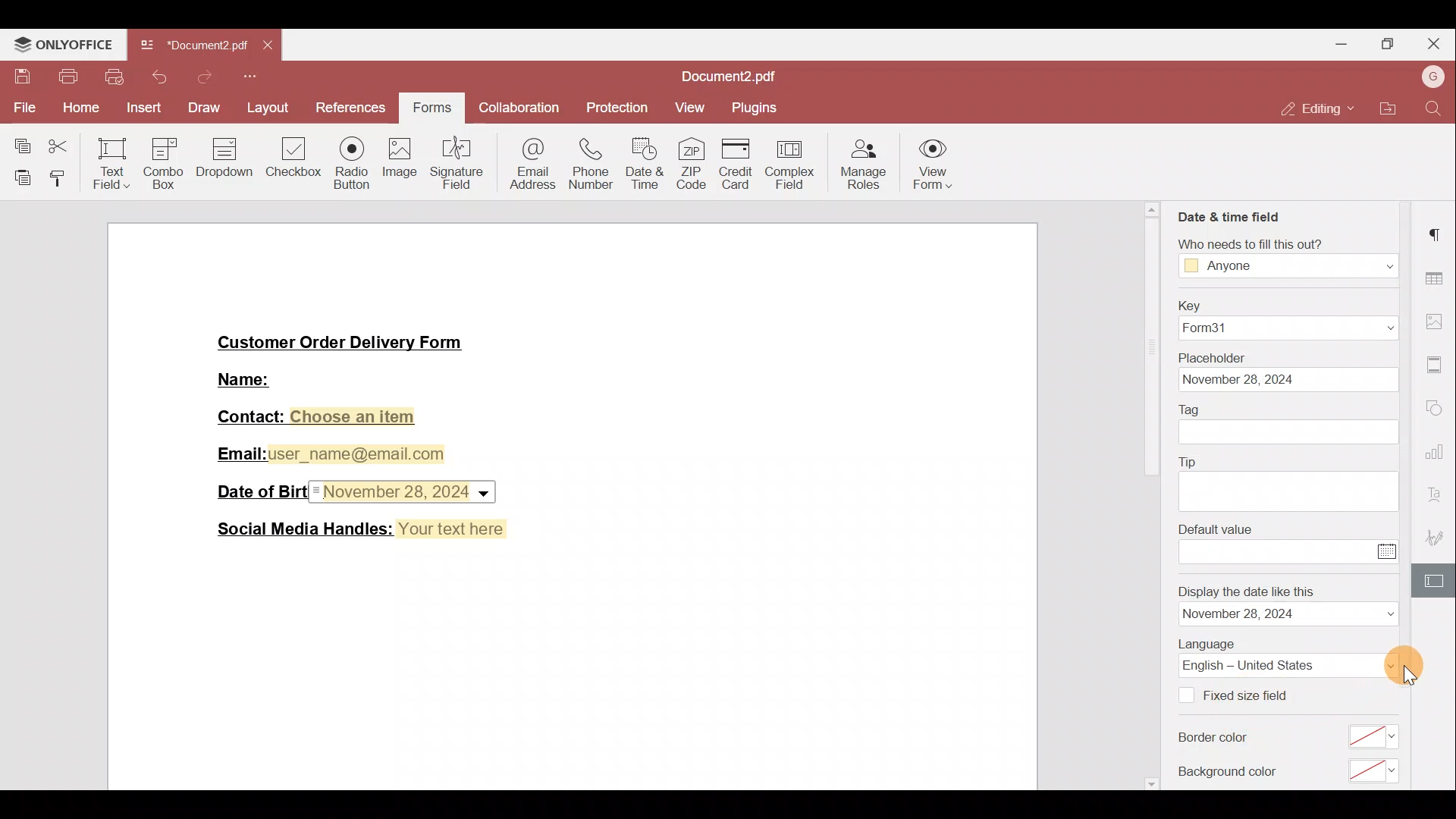 Image resolution: width=1456 pixels, height=819 pixels. What do you see at coordinates (1373, 736) in the screenshot?
I see `select border color` at bounding box center [1373, 736].